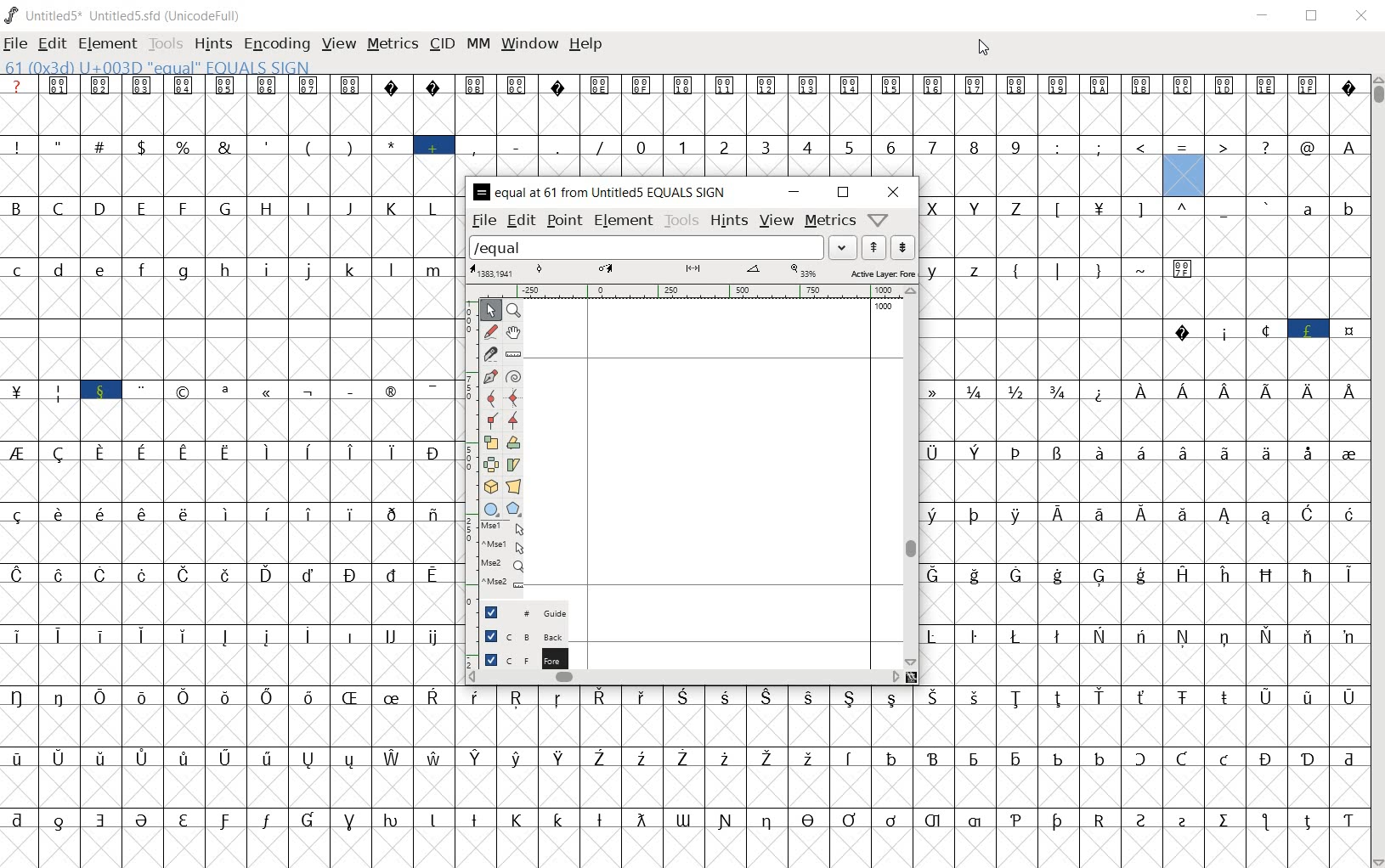  I want to click on Guide, so click(520, 613).